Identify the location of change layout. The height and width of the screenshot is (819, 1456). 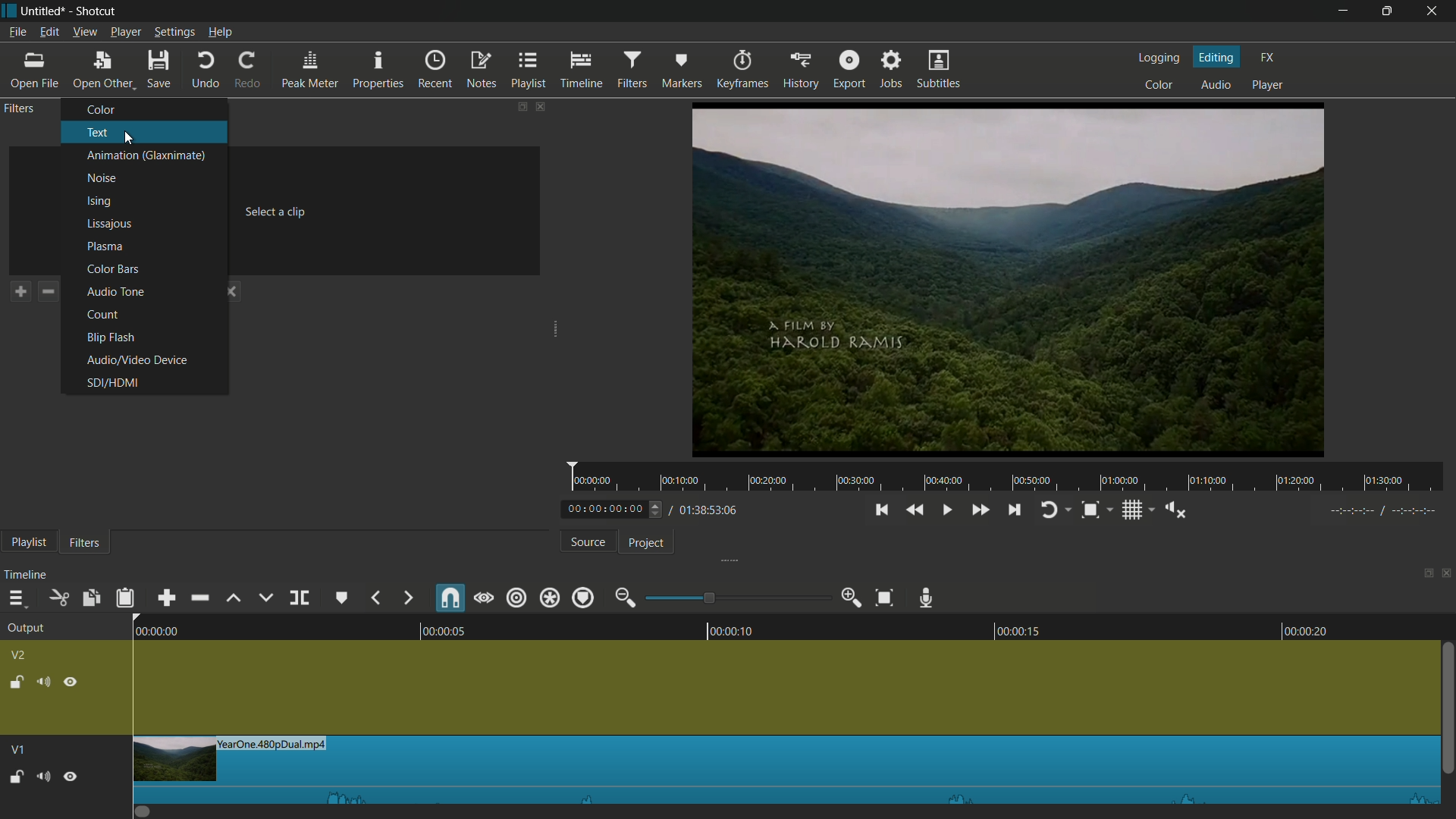
(1423, 576).